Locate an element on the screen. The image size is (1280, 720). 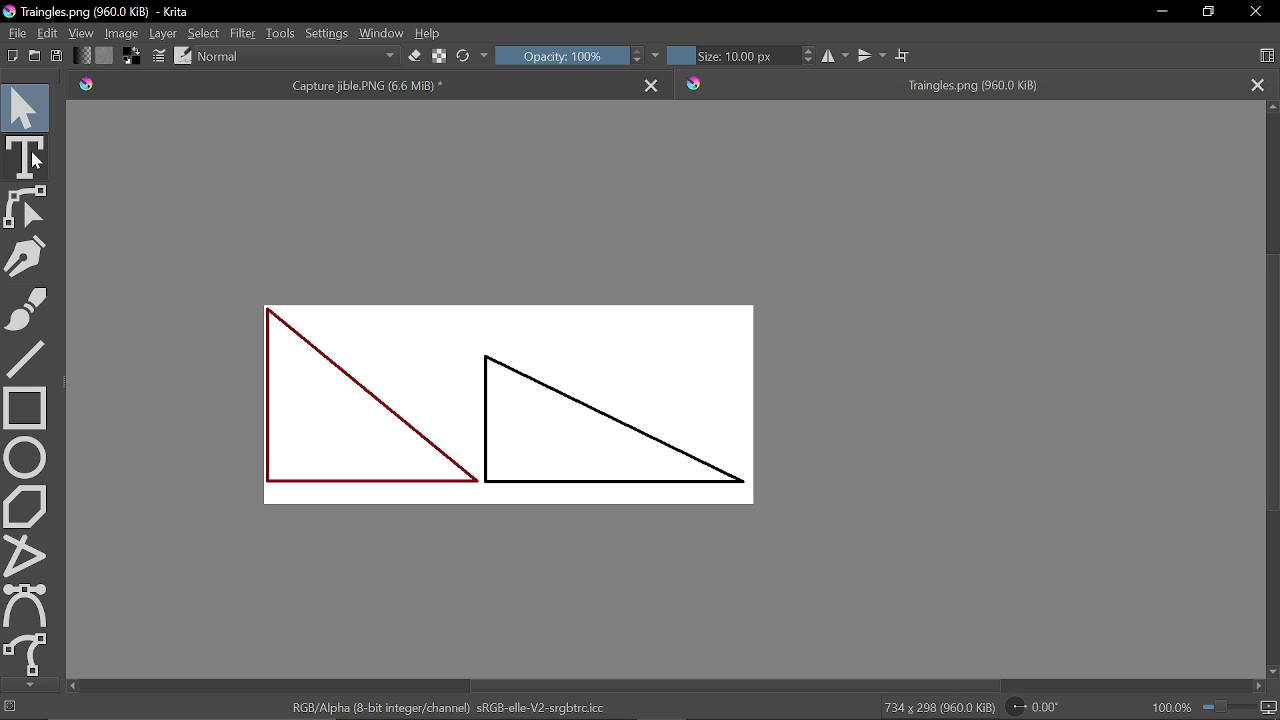
Restore down is located at coordinates (1211, 13).